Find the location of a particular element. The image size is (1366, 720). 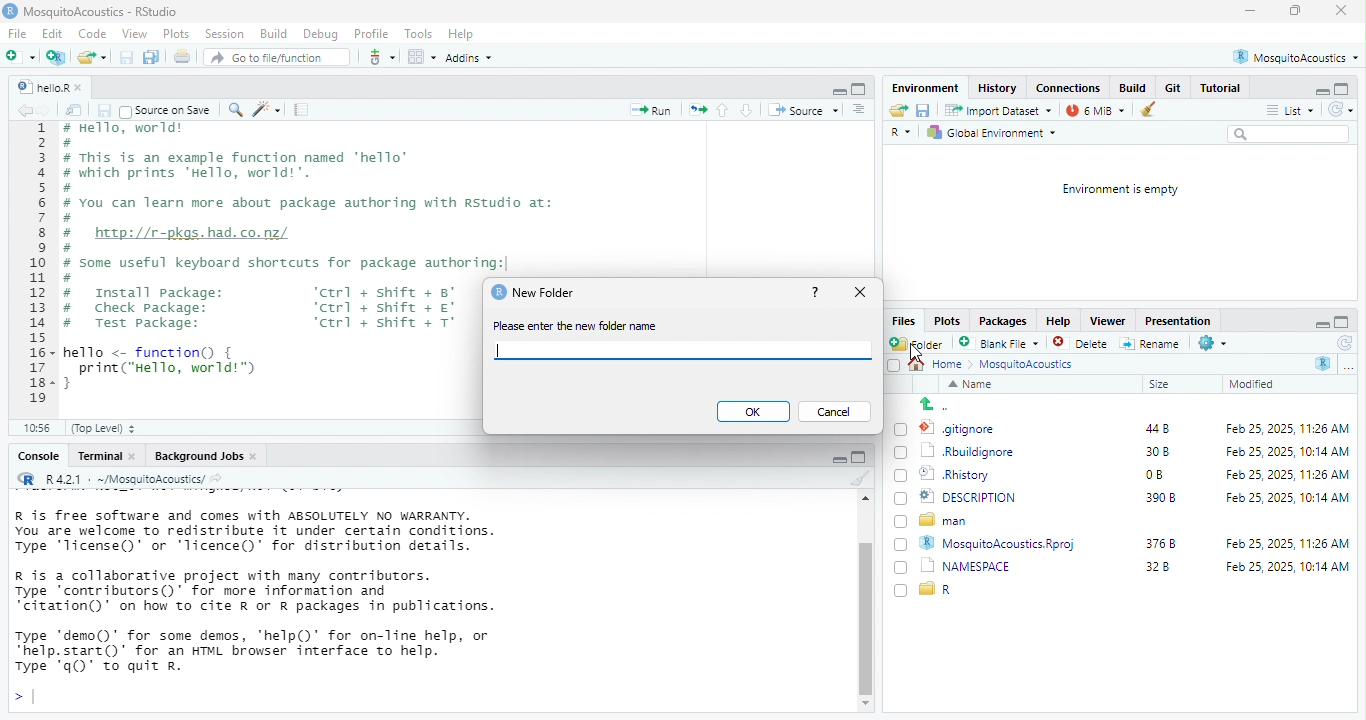

Feb 25, 2025, 11:26 AM is located at coordinates (1284, 543).